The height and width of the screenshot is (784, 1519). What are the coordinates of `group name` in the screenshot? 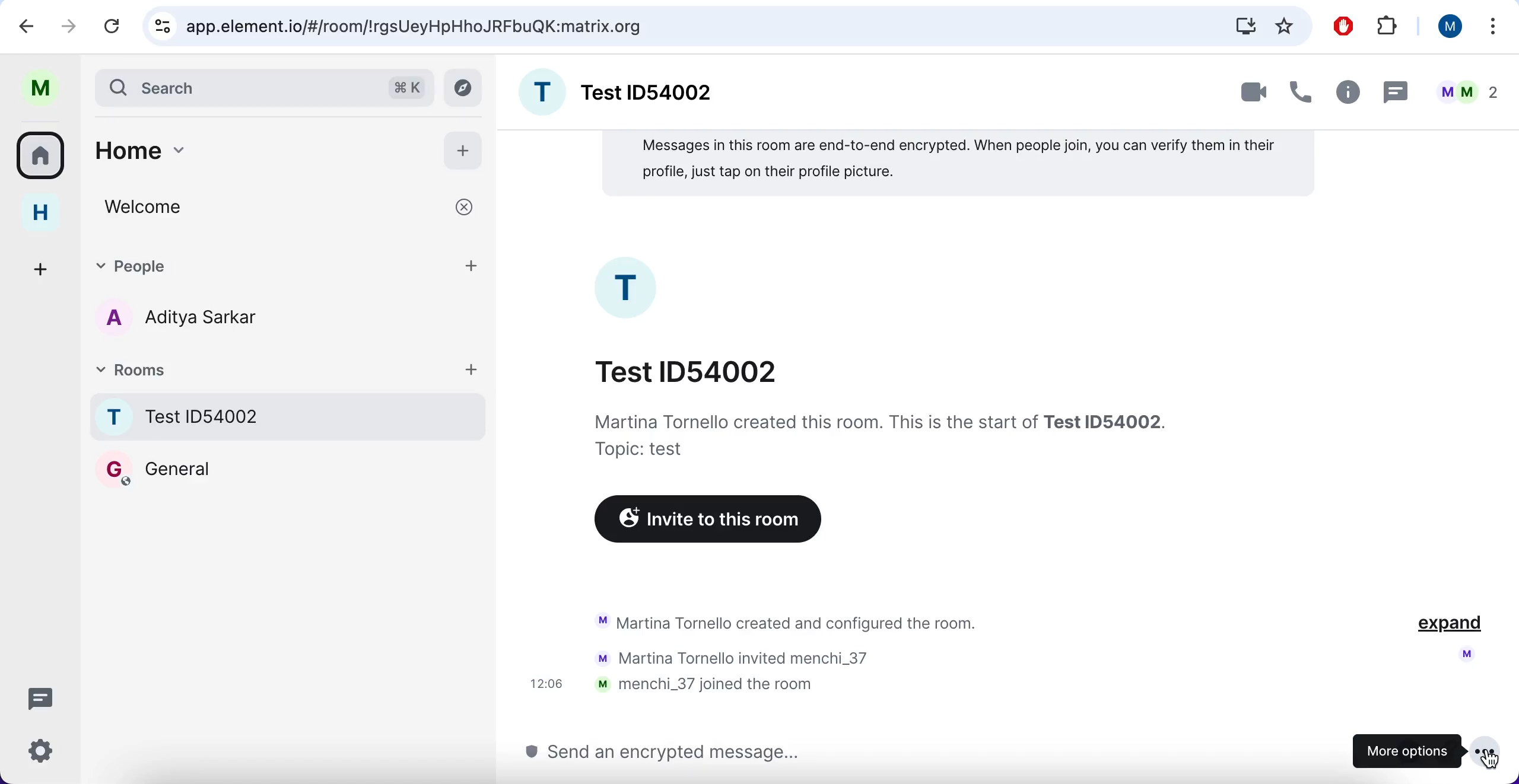 It's located at (620, 90).